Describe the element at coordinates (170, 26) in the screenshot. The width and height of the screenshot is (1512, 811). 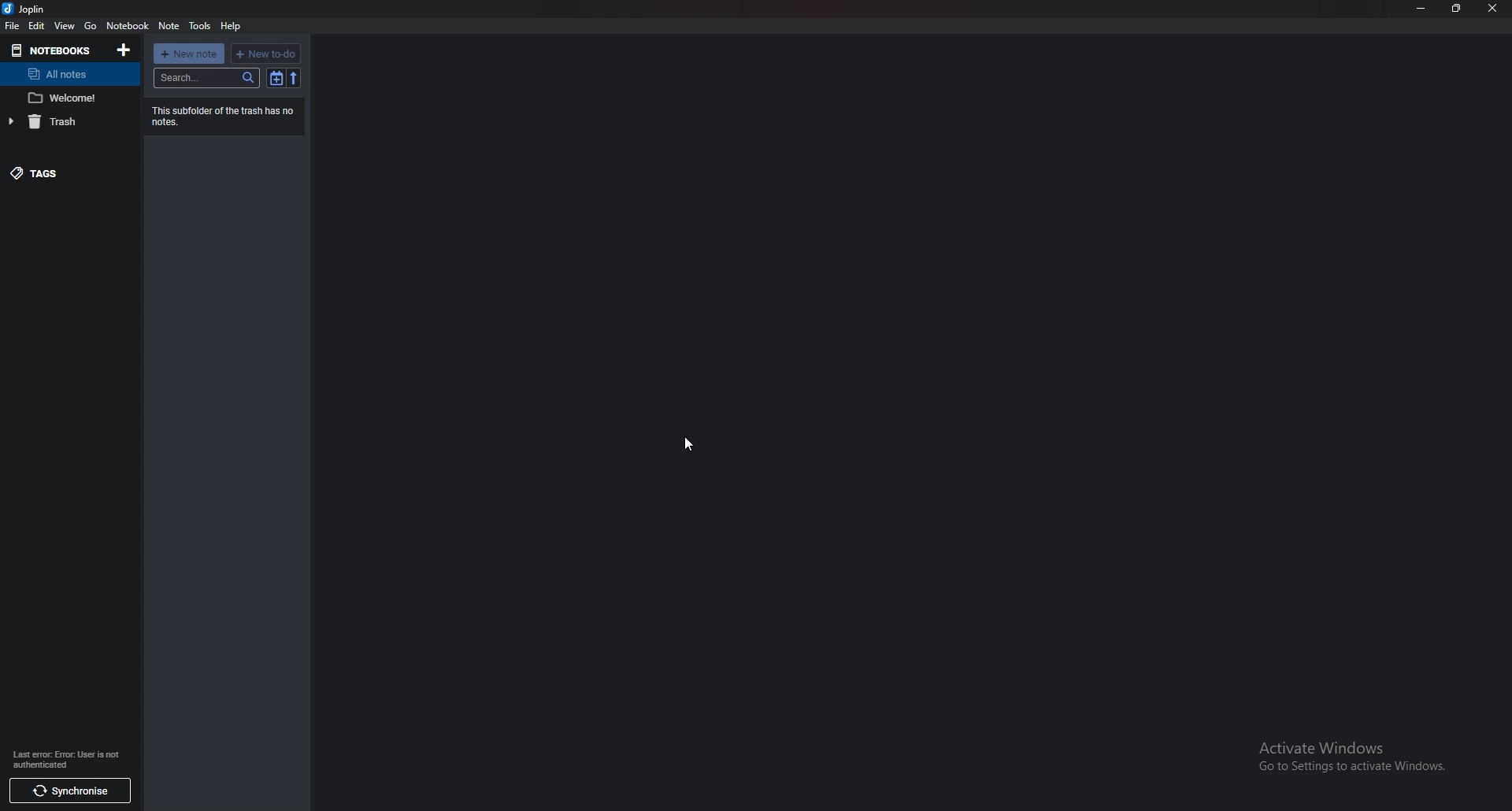
I see `note` at that location.